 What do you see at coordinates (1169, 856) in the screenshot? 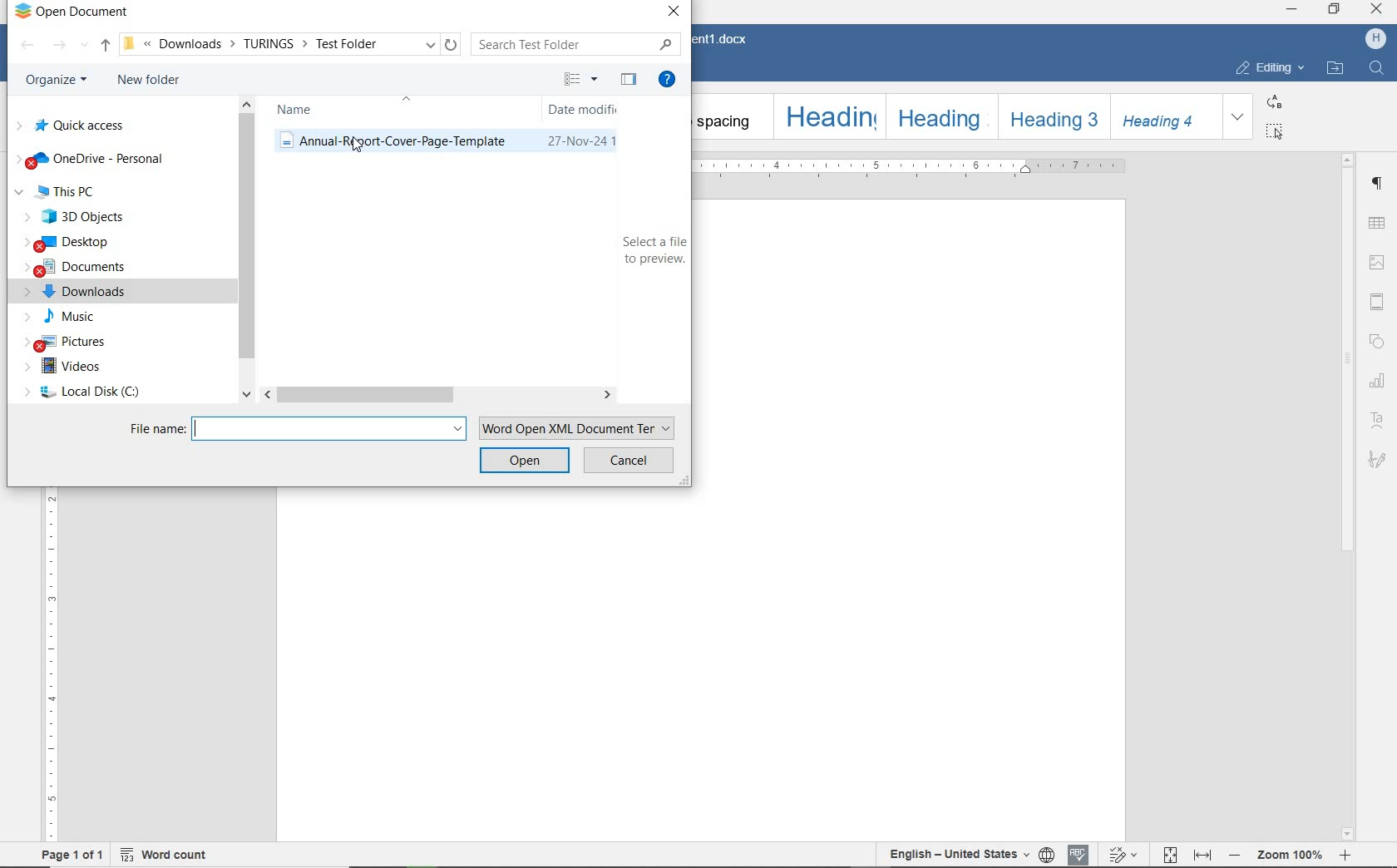
I see `fit to page` at bounding box center [1169, 856].